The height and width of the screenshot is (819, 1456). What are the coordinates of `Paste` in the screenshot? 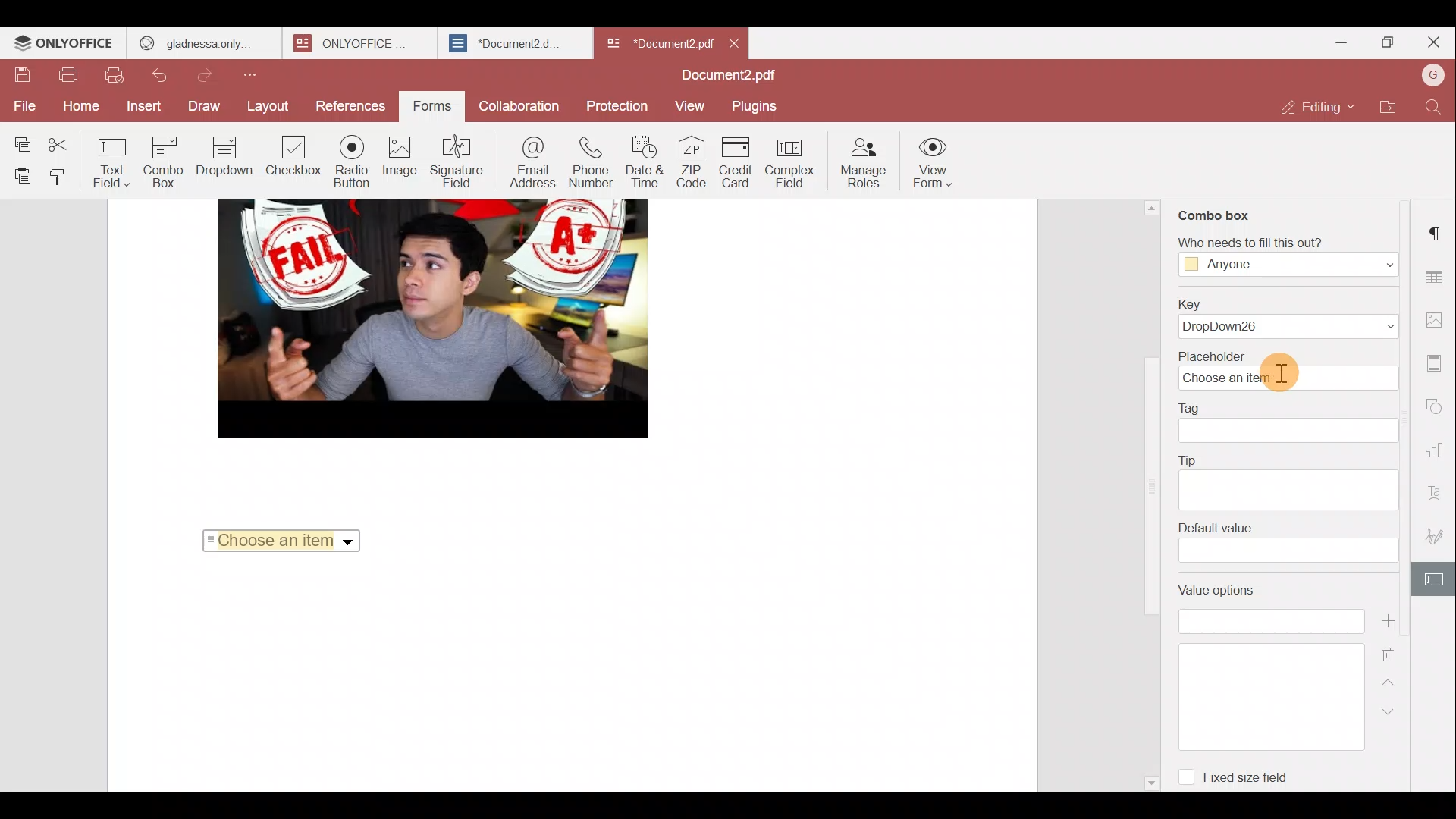 It's located at (20, 176).